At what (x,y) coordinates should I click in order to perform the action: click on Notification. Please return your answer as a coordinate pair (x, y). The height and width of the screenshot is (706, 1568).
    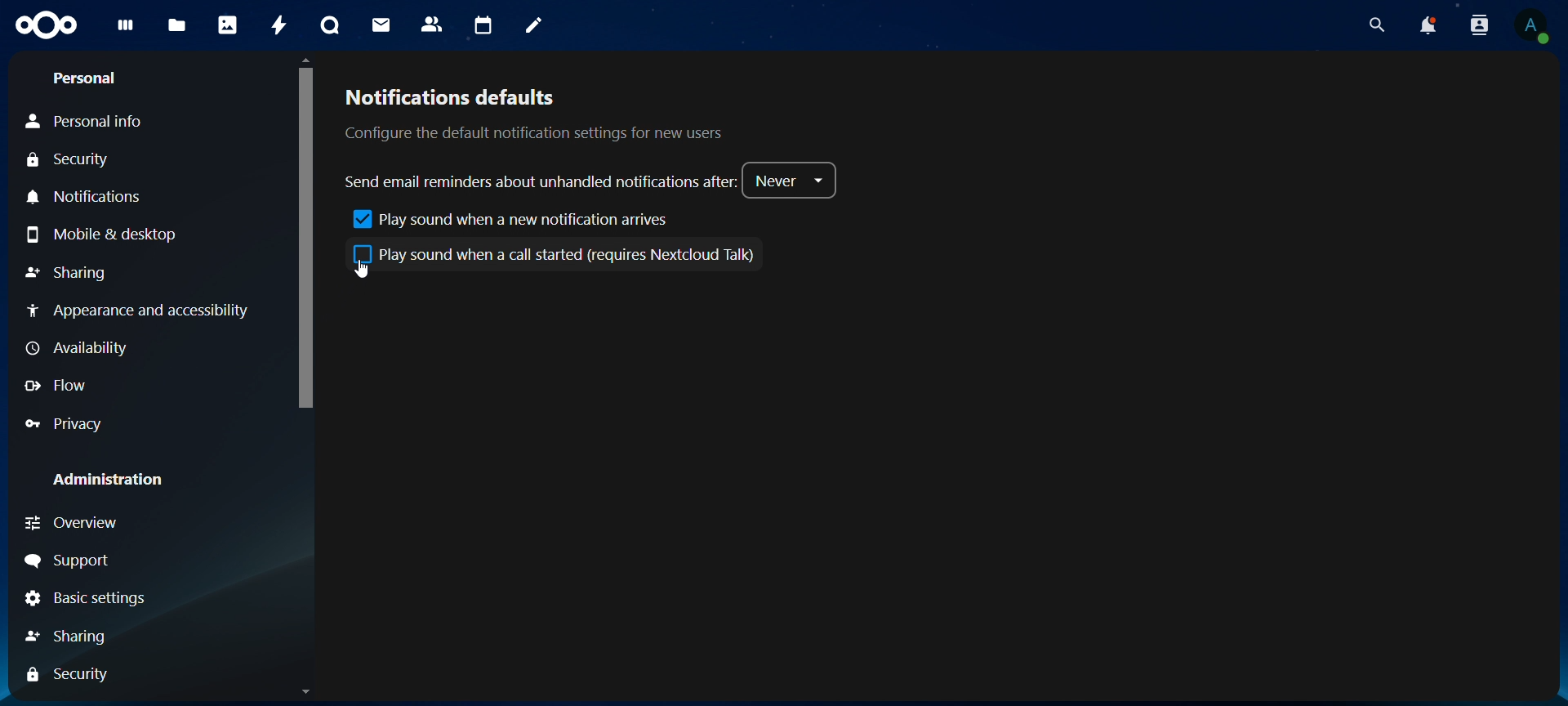
    Looking at the image, I should click on (92, 197).